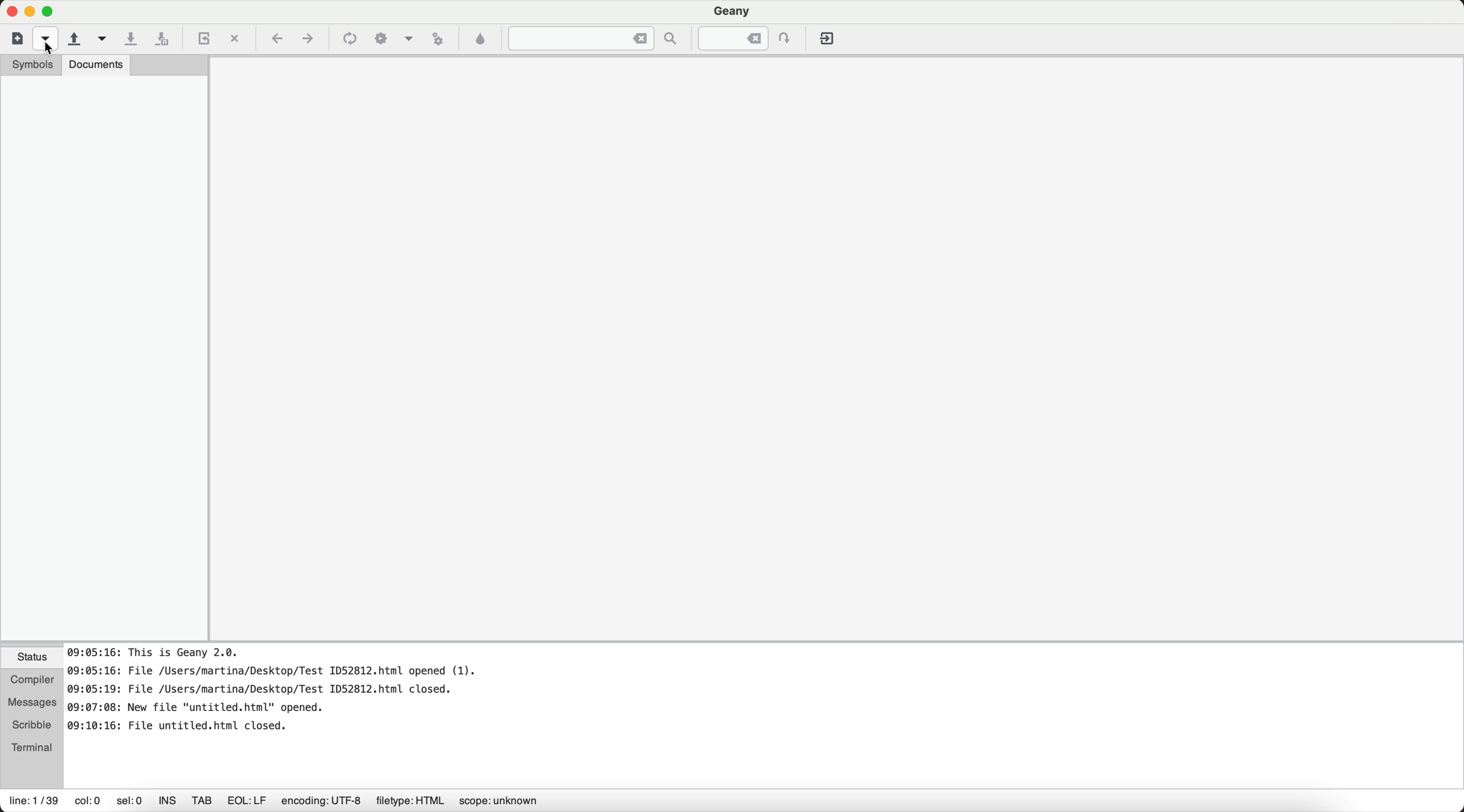 The image size is (1464, 812). What do you see at coordinates (733, 11) in the screenshot?
I see `Geany` at bounding box center [733, 11].